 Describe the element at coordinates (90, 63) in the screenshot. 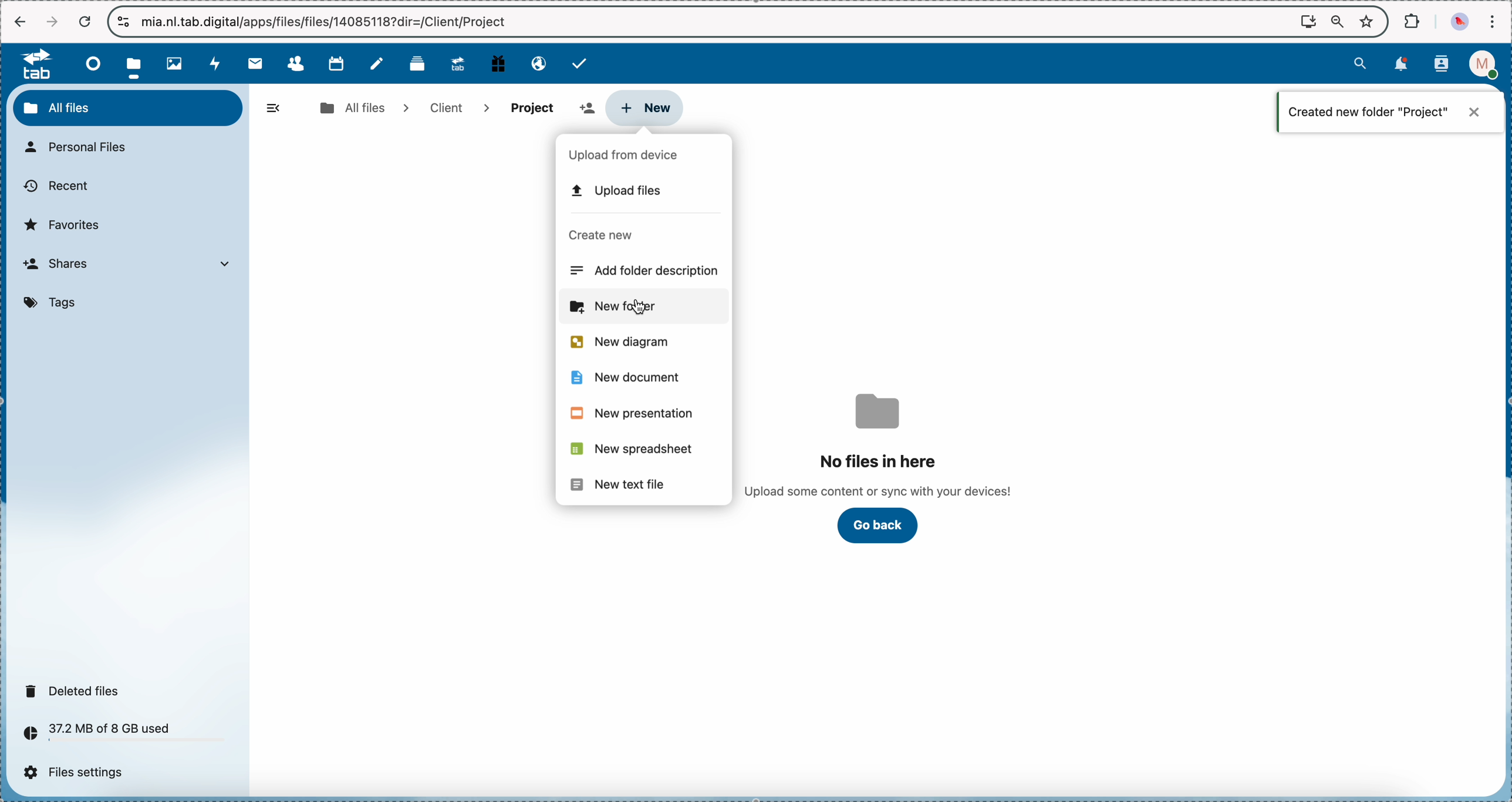

I see `dashboard` at that location.